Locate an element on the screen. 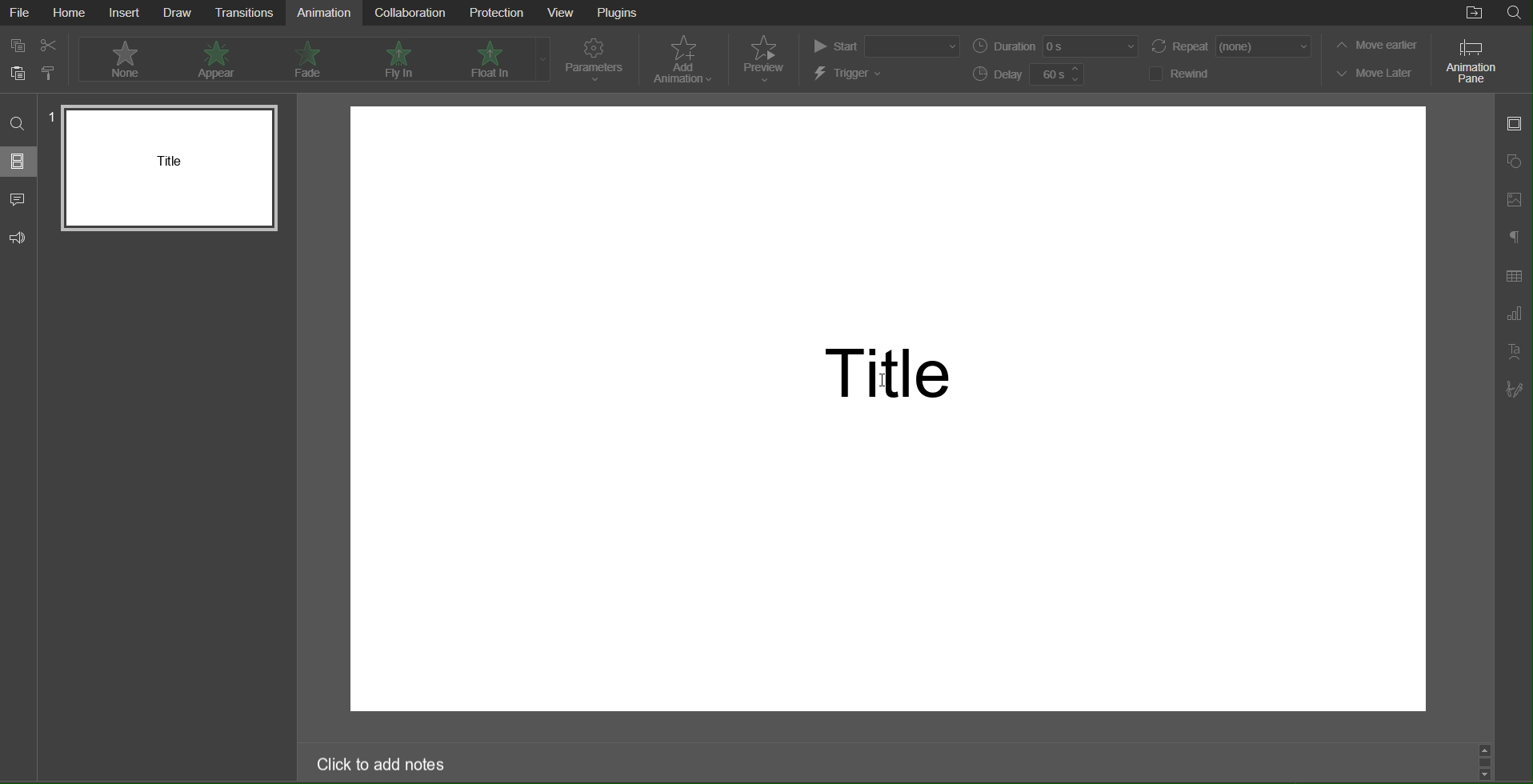 This screenshot has height=784, width=1533. Table Settings is located at coordinates (1514, 277).